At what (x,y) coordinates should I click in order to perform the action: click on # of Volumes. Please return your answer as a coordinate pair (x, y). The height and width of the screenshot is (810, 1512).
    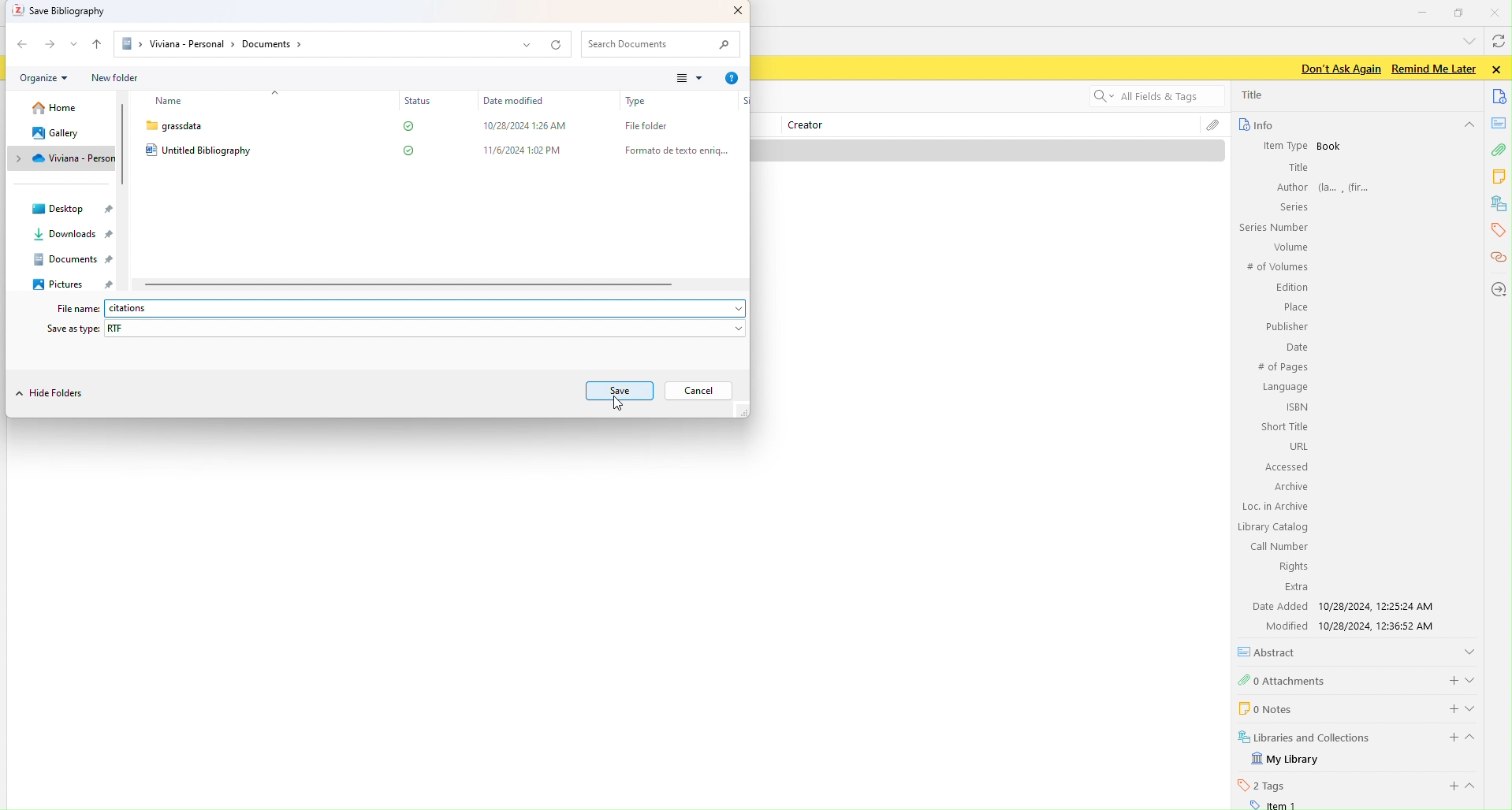
    Looking at the image, I should click on (1276, 267).